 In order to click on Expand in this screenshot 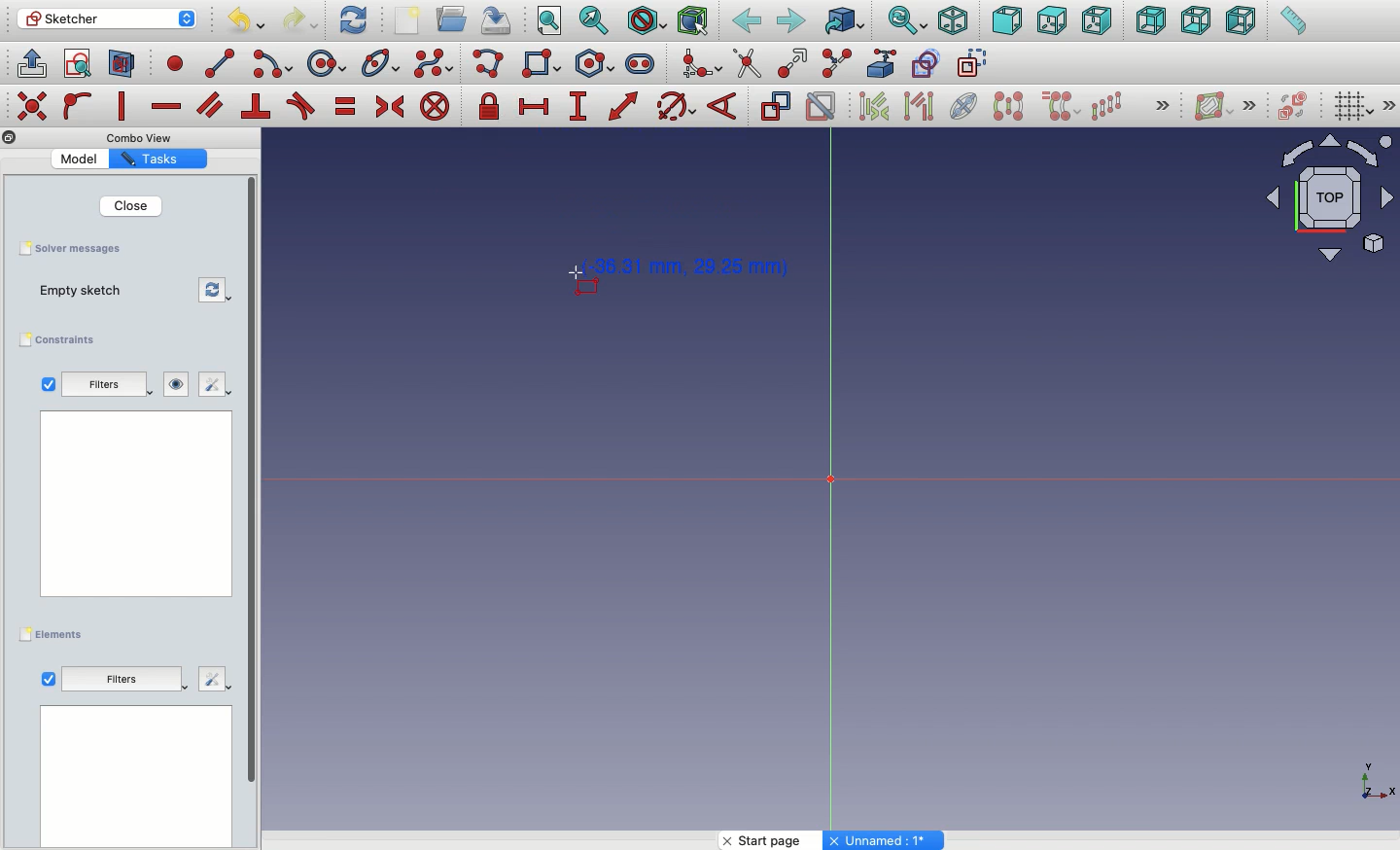, I will do `click(1250, 105)`.